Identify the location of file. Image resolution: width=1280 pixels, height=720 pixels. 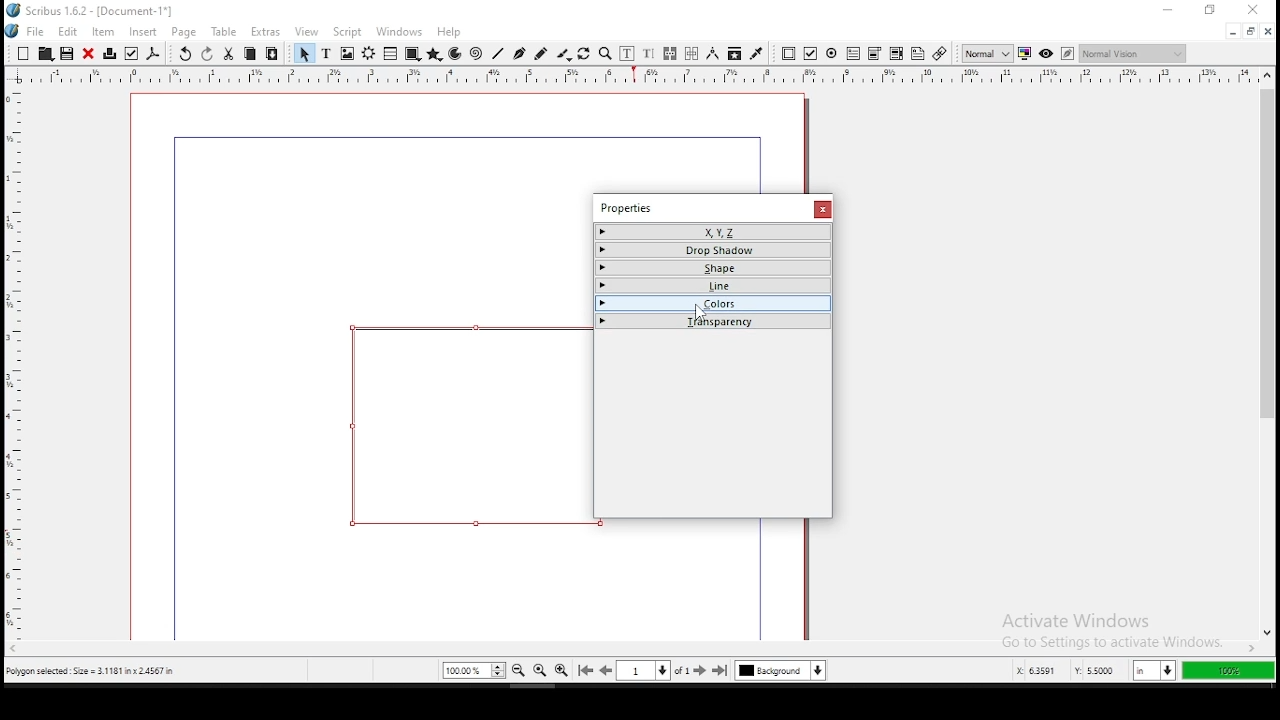
(26, 30).